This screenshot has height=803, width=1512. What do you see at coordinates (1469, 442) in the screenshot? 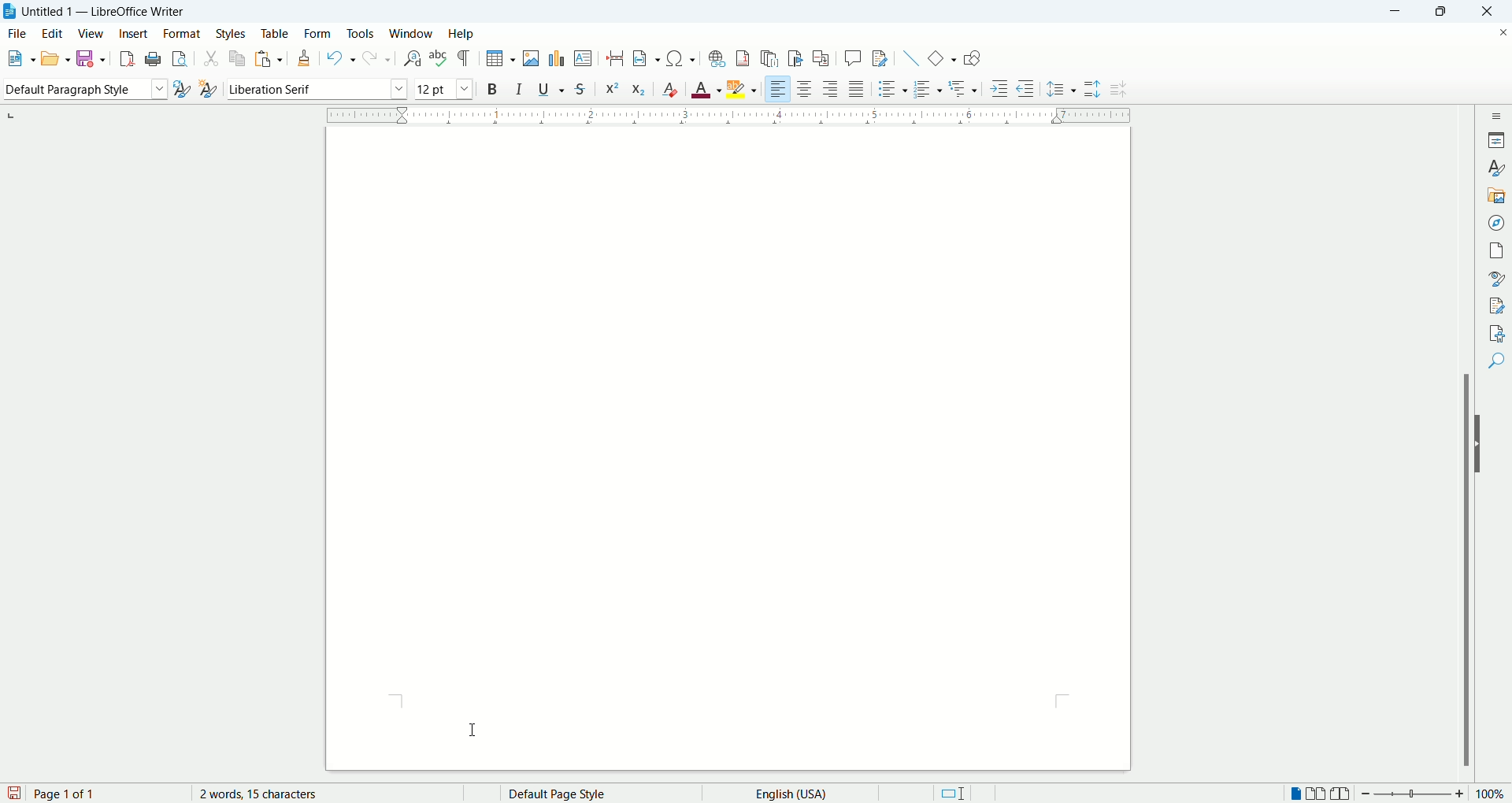
I see `scroll bar` at bounding box center [1469, 442].